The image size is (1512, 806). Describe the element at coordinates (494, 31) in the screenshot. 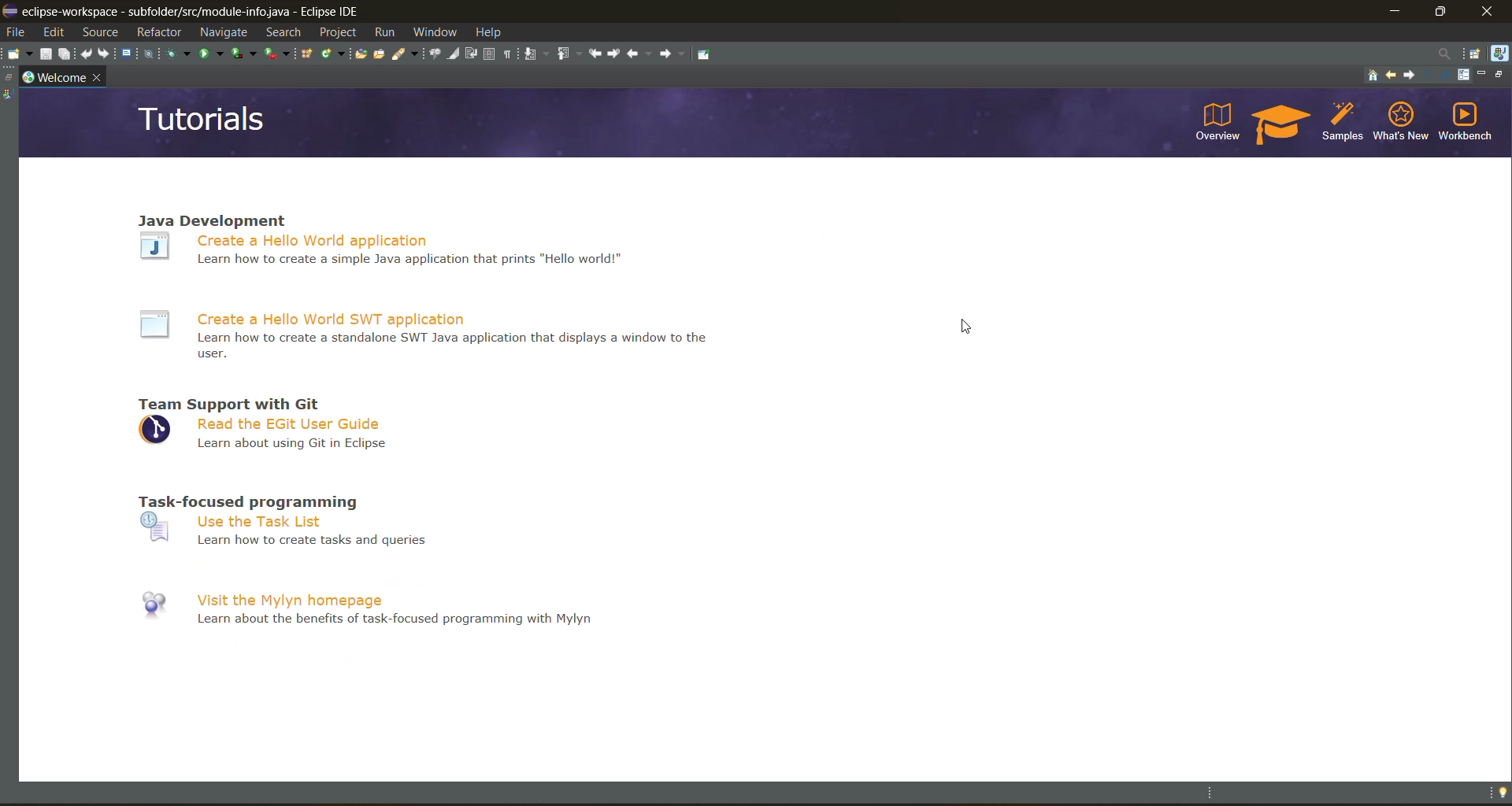

I see `help` at that location.